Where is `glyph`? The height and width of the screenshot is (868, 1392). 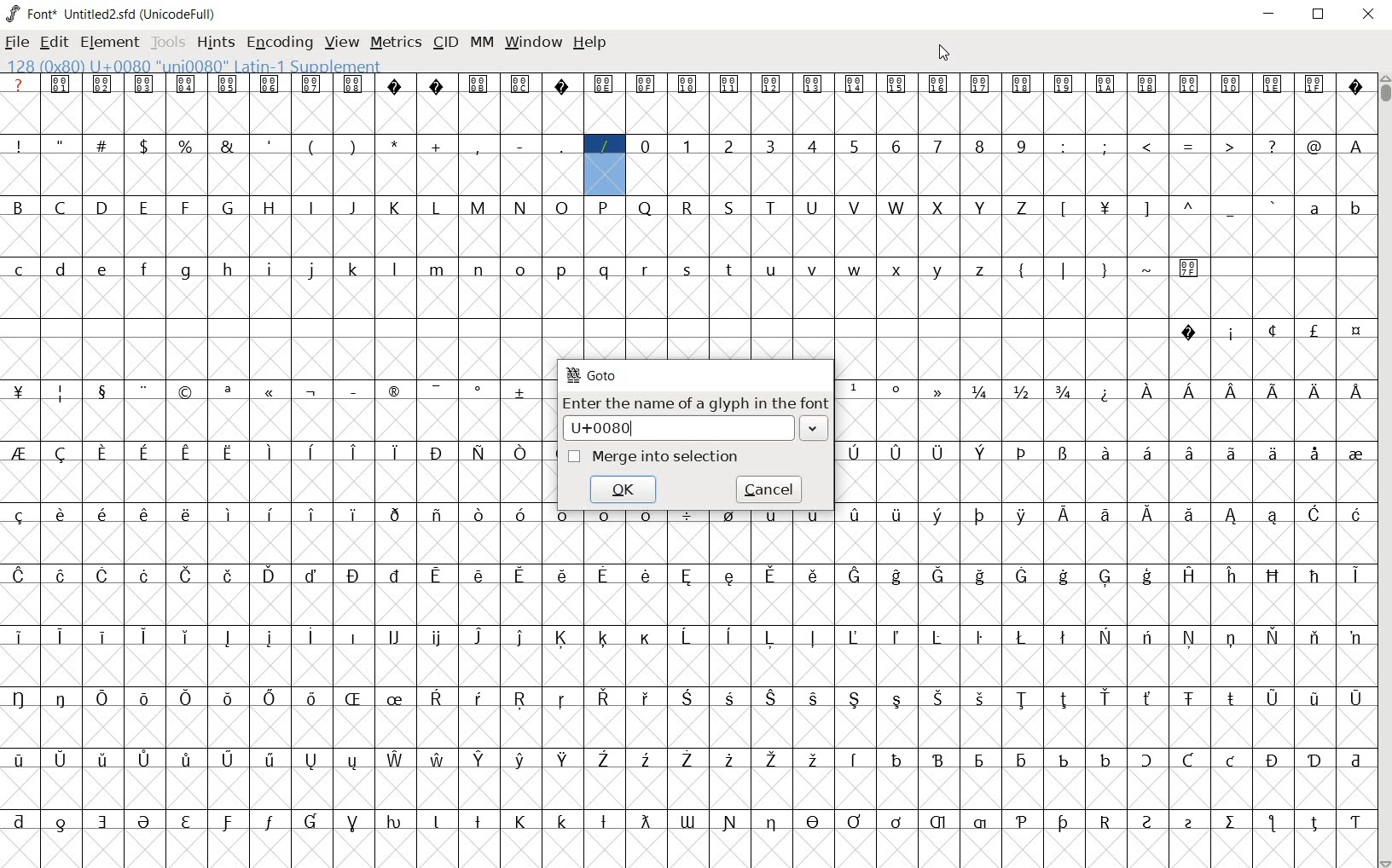
glyph is located at coordinates (561, 271).